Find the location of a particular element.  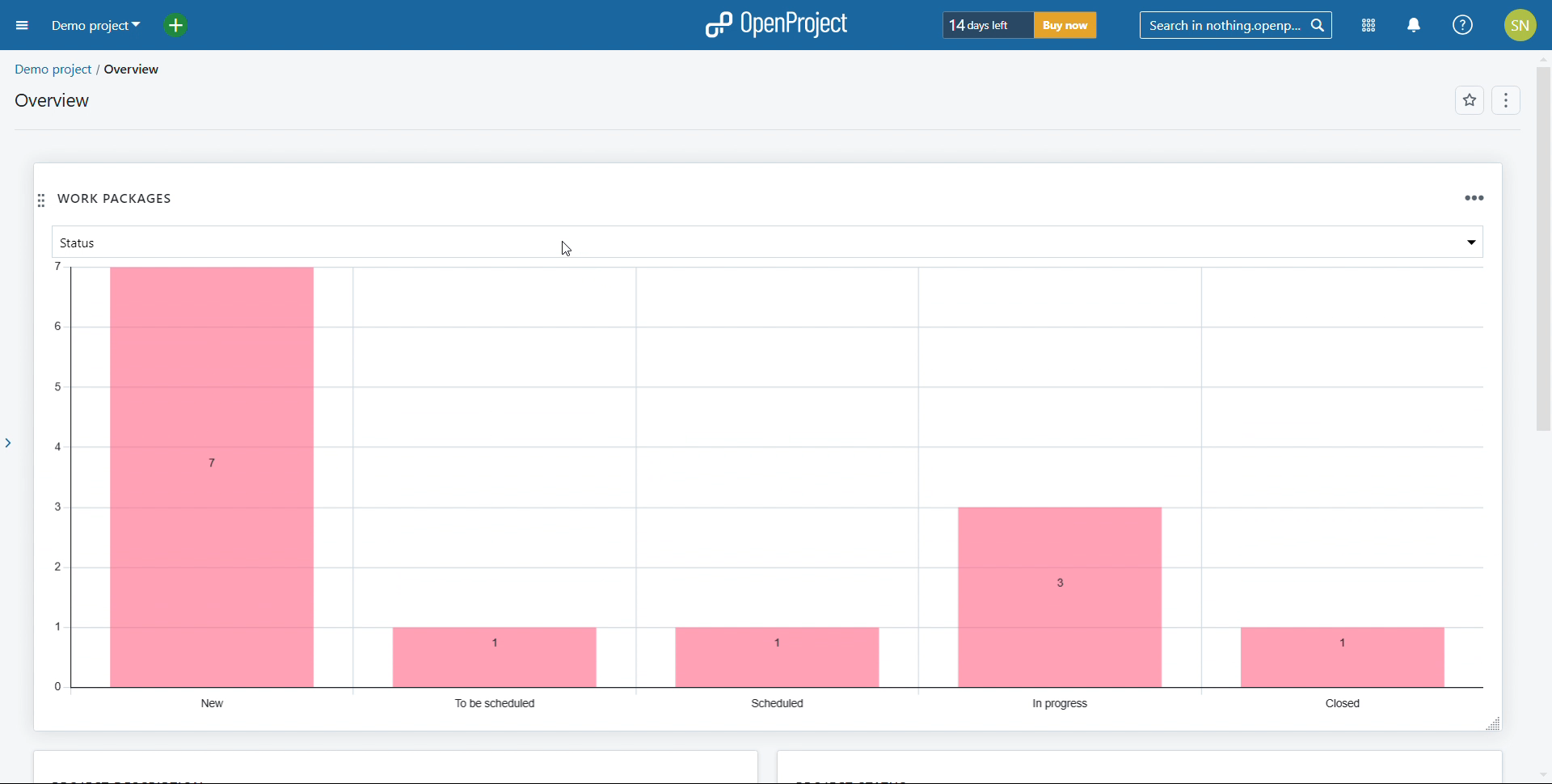

chart is located at coordinates (768, 487).